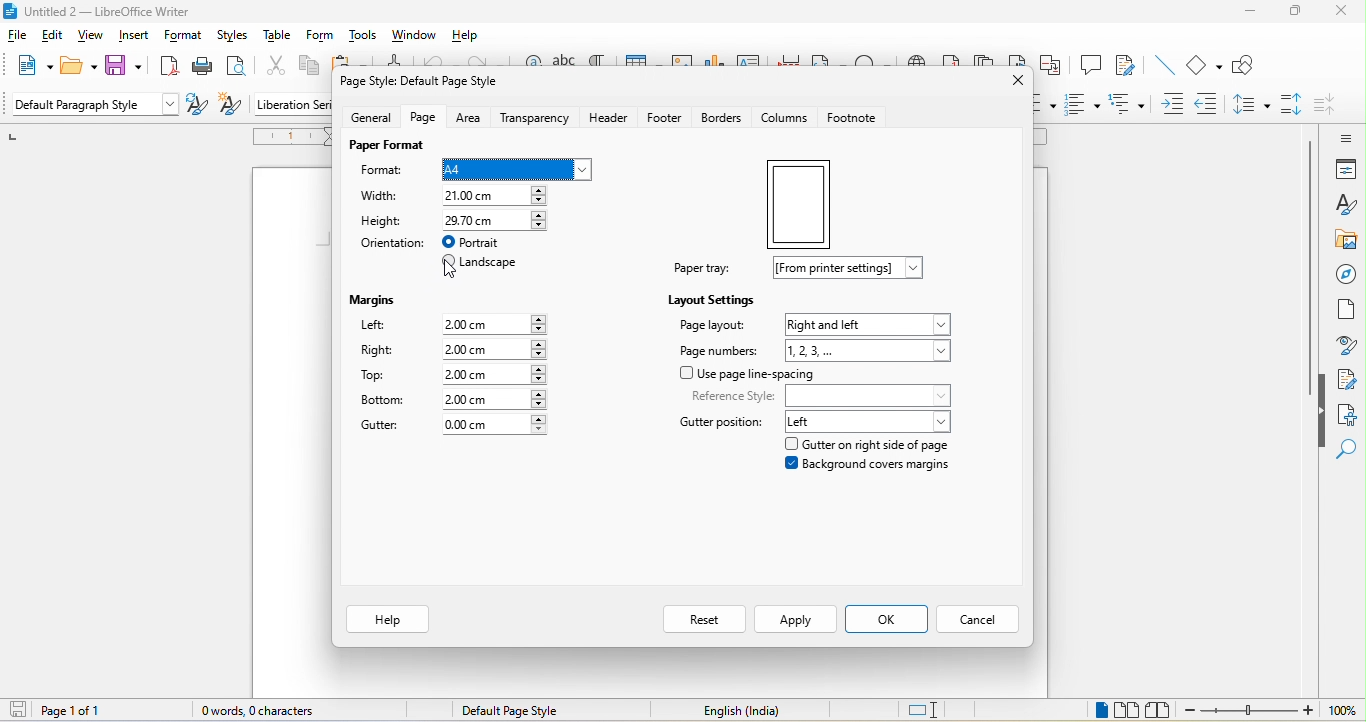 The image size is (1366, 722). I want to click on 0.00 cm, so click(492, 425).